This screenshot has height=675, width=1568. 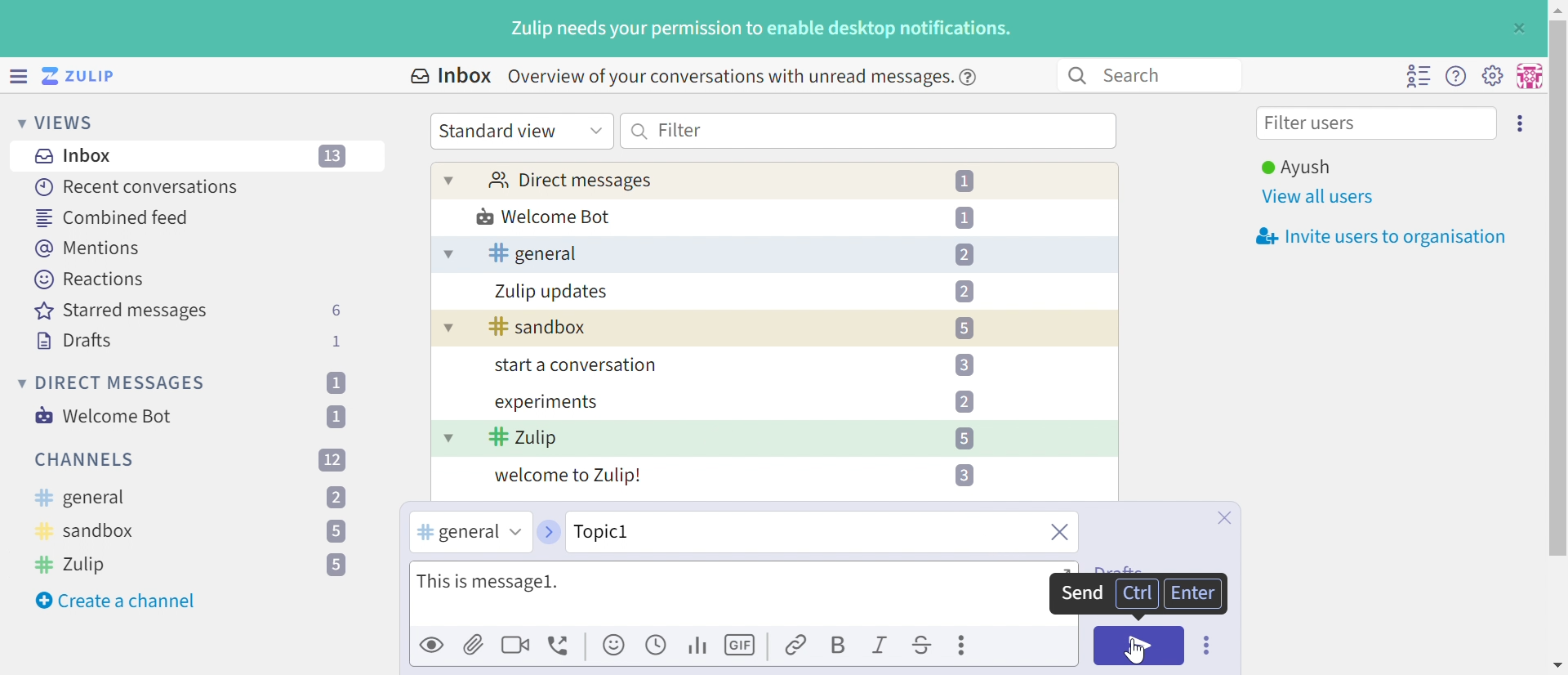 I want to click on Drop Down, so click(x=445, y=330).